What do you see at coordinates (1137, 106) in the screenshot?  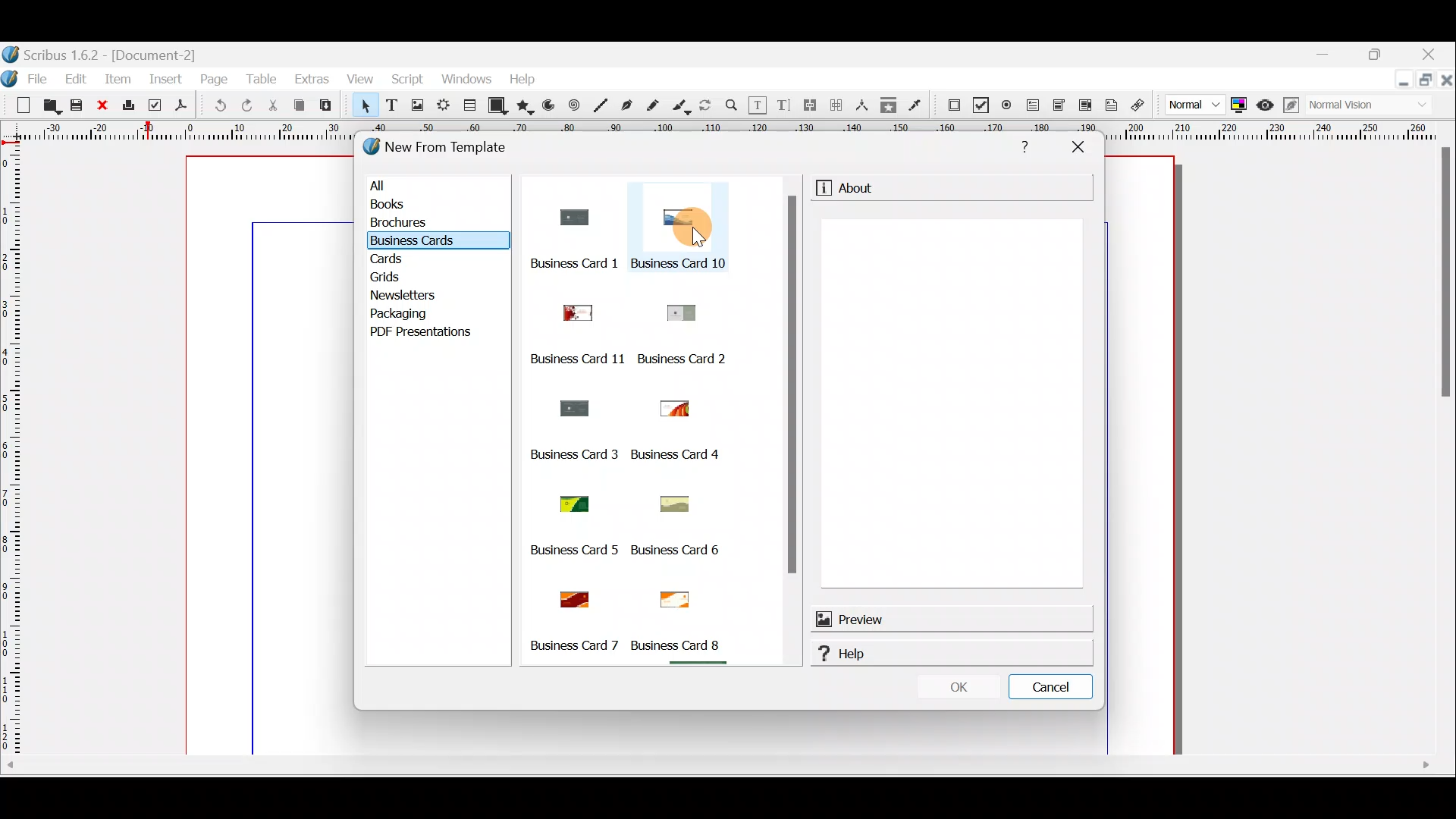 I see `Link annotation` at bounding box center [1137, 106].